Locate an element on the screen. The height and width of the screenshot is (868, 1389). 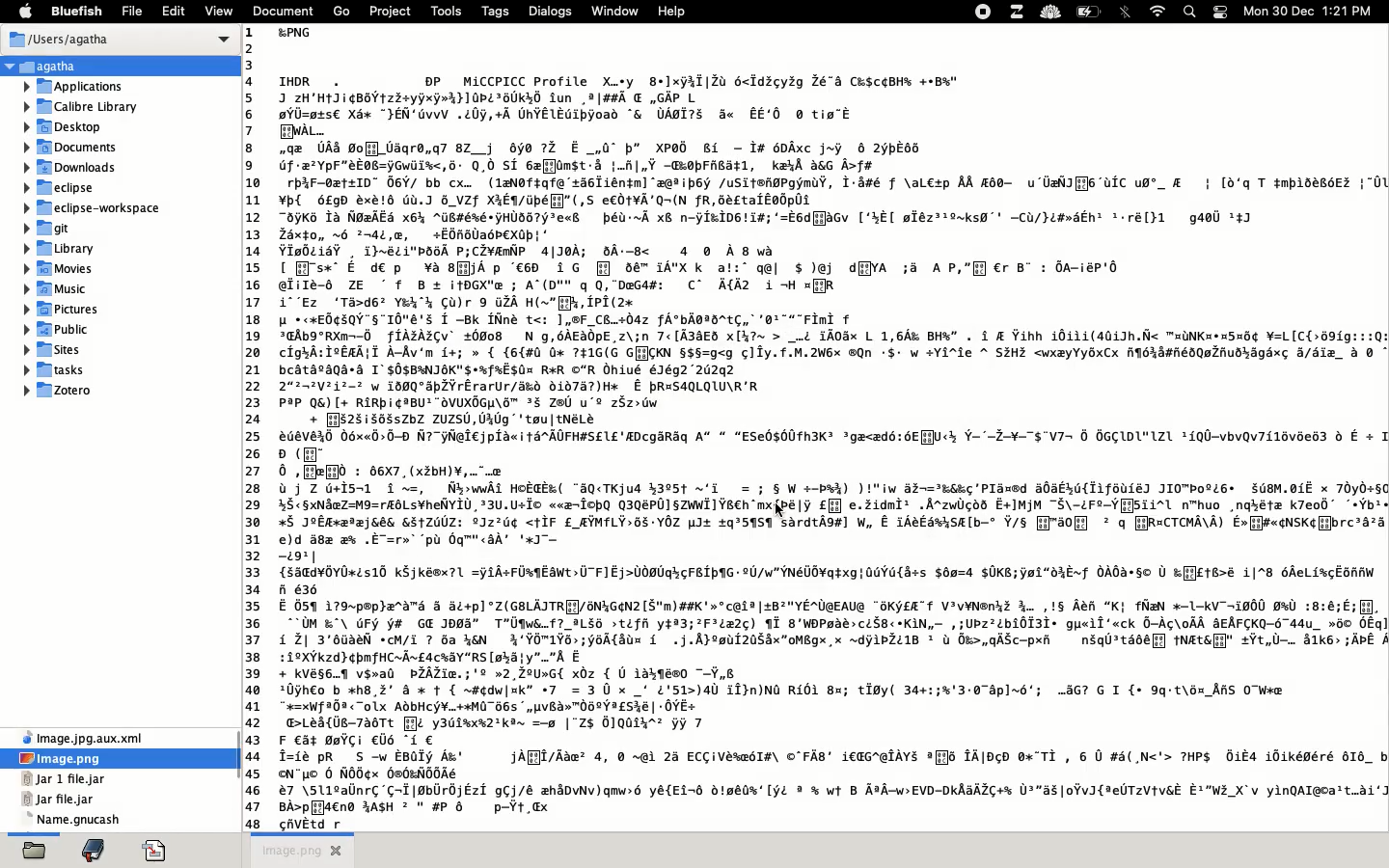
bluetooth is located at coordinates (1127, 12).